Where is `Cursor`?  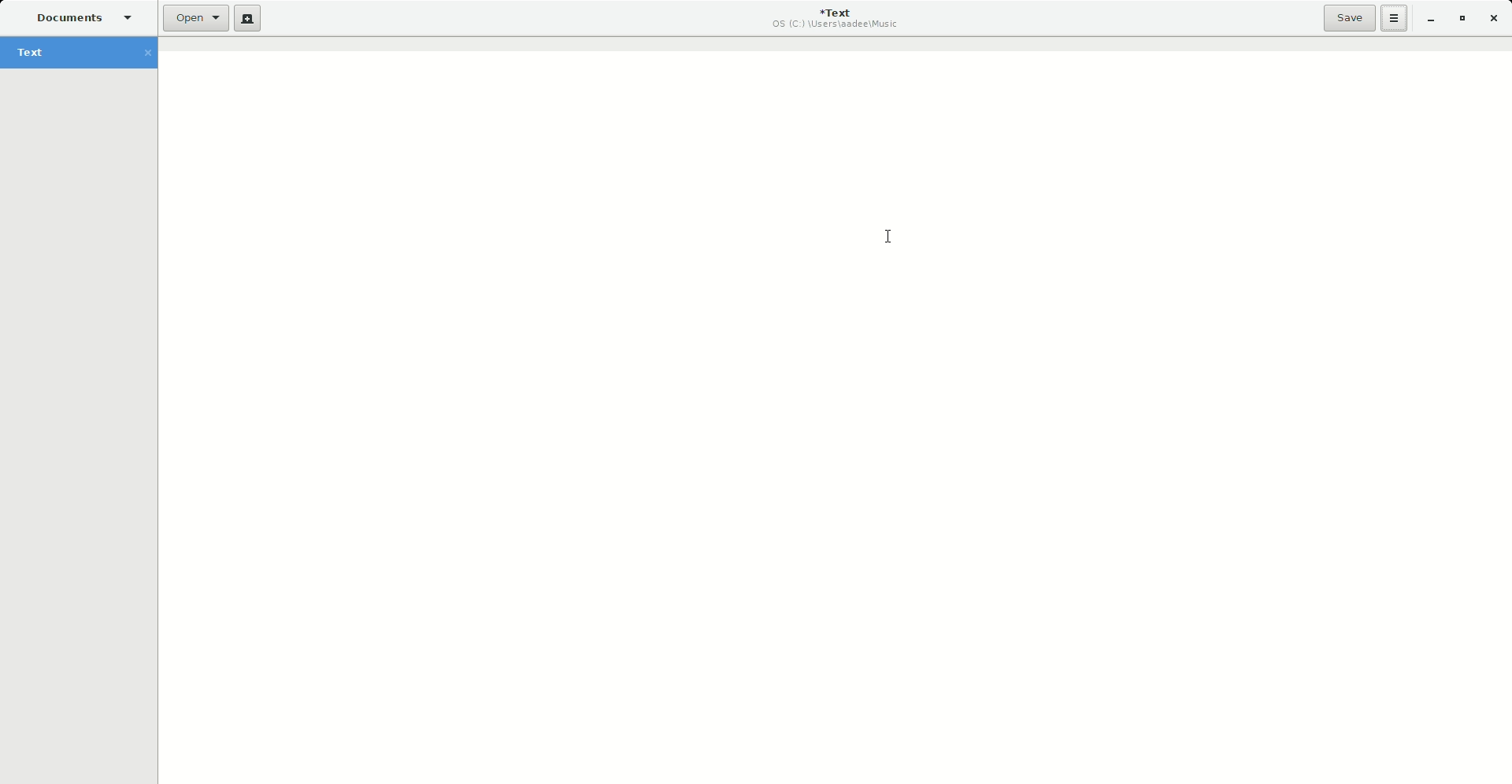
Cursor is located at coordinates (885, 235).